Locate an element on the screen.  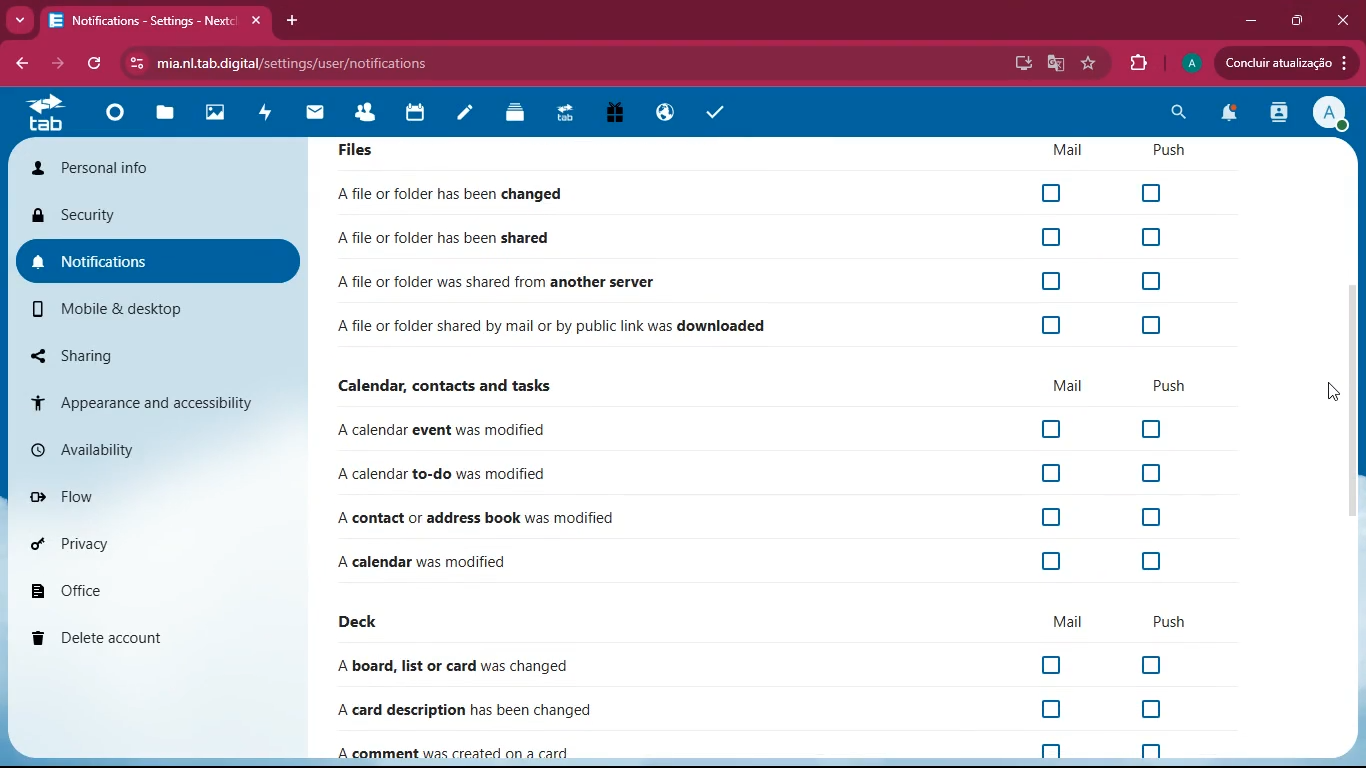
off is located at coordinates (1054, 430).